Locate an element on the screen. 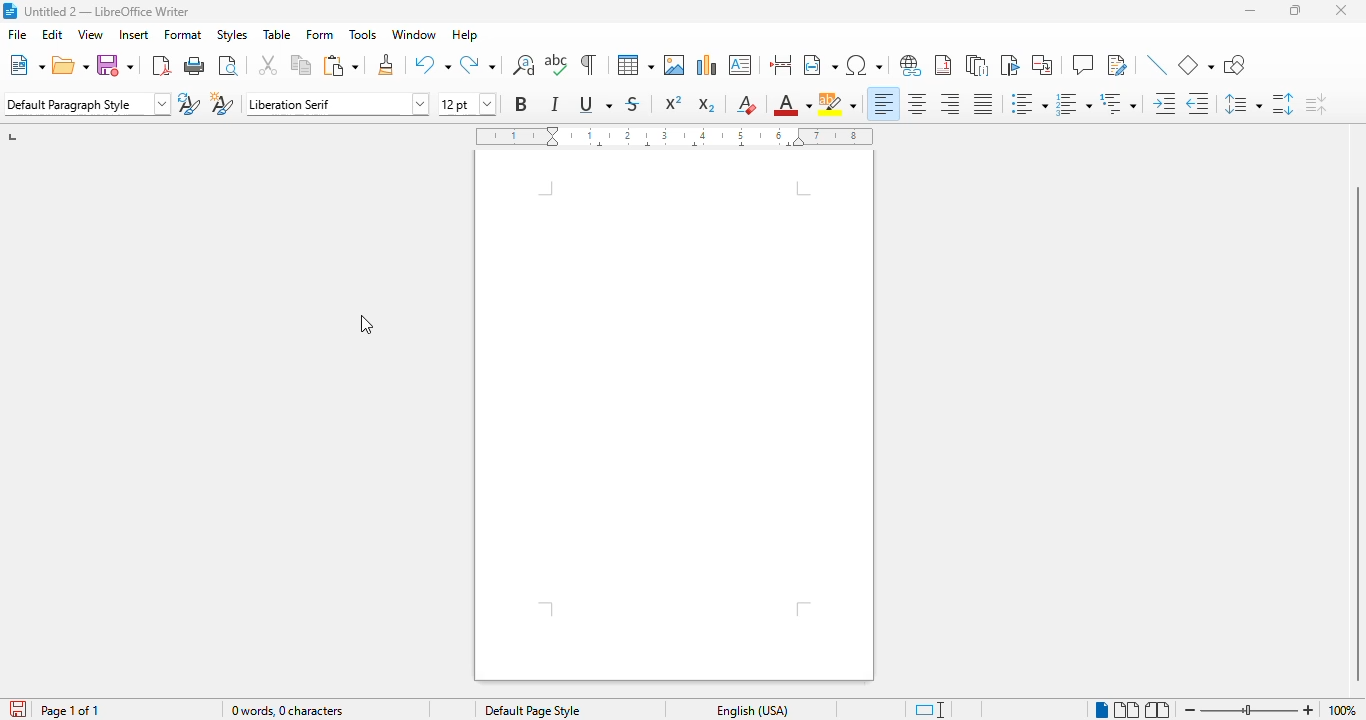 Image resolution: width=1366 pixels, height=720 pixels. insert hyperlink is located at coordinates (911, 66).